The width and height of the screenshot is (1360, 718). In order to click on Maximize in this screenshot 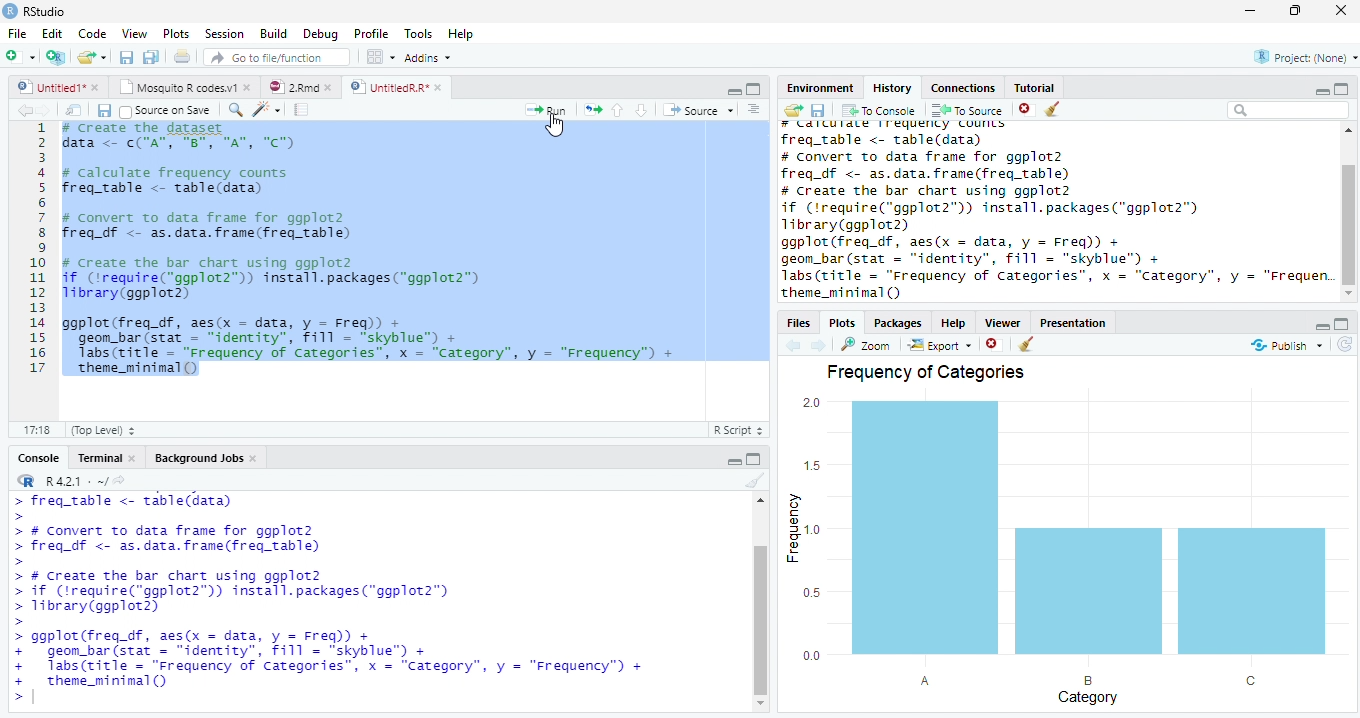, I will do `click(753, 90)`.